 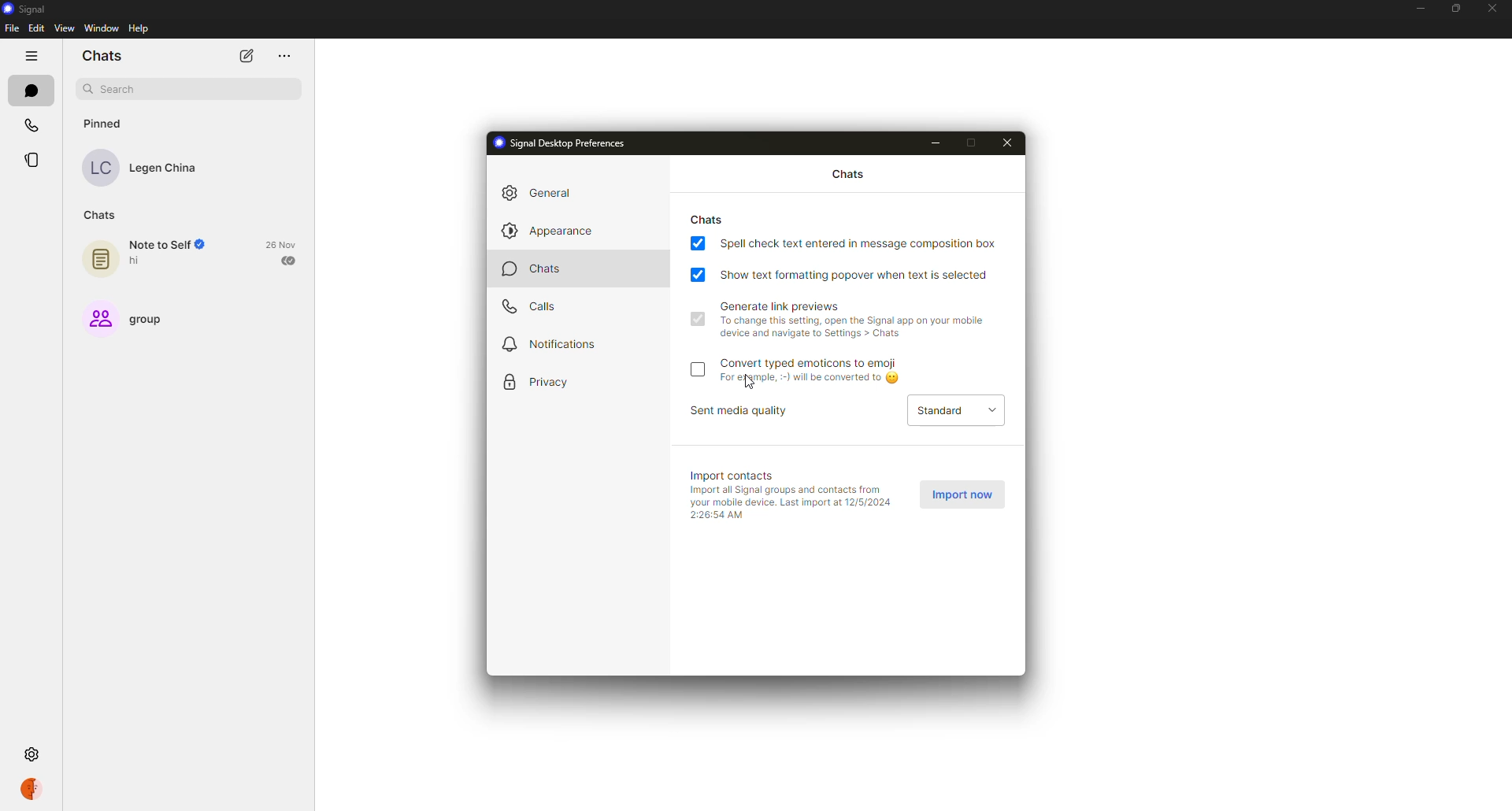 What do you see at coordinates (547, 231) in the screenshot?
I see `appearance` at bounding box center [547, 231].